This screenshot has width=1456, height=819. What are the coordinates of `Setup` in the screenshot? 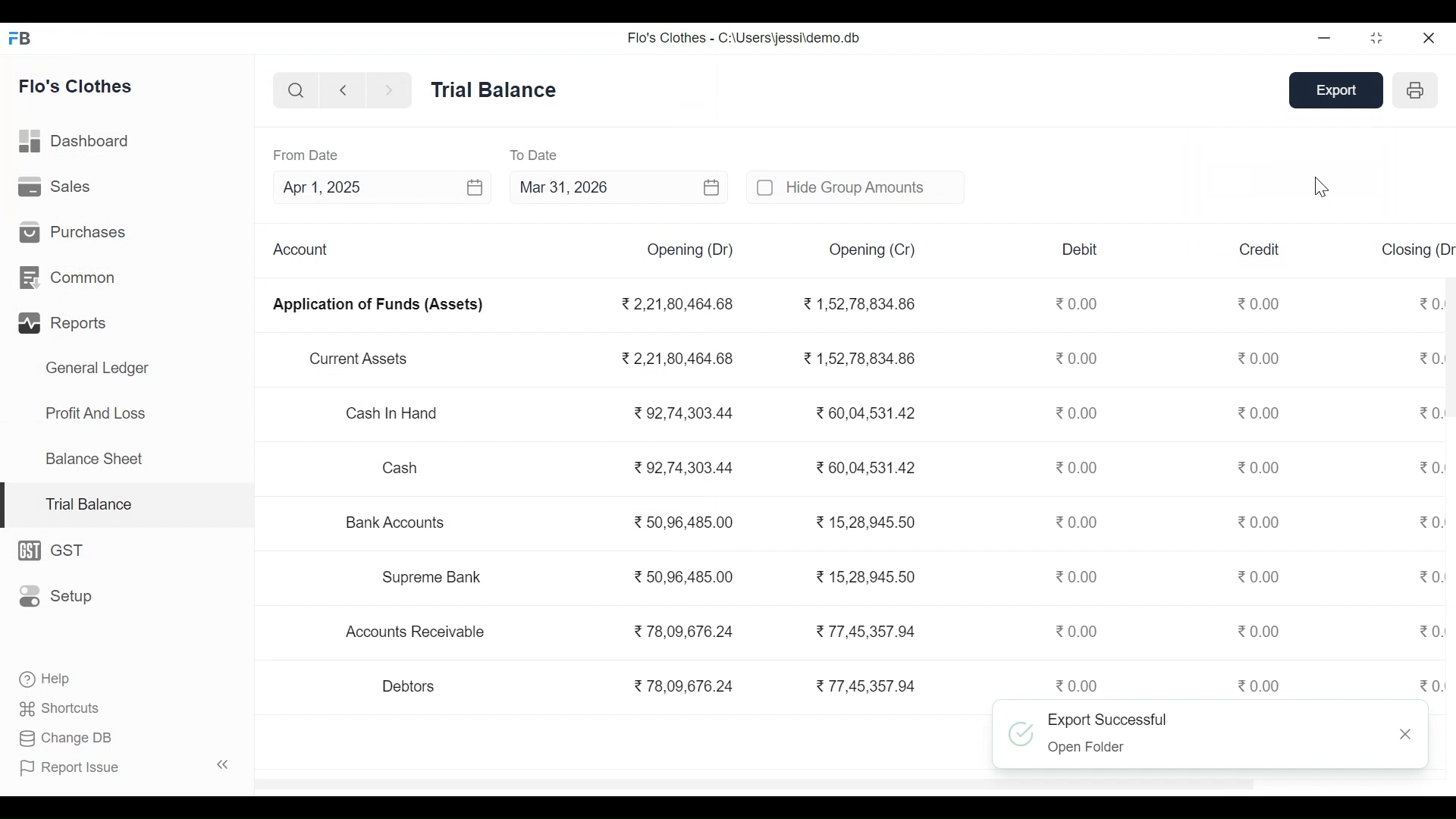 It's located at (56, 597).